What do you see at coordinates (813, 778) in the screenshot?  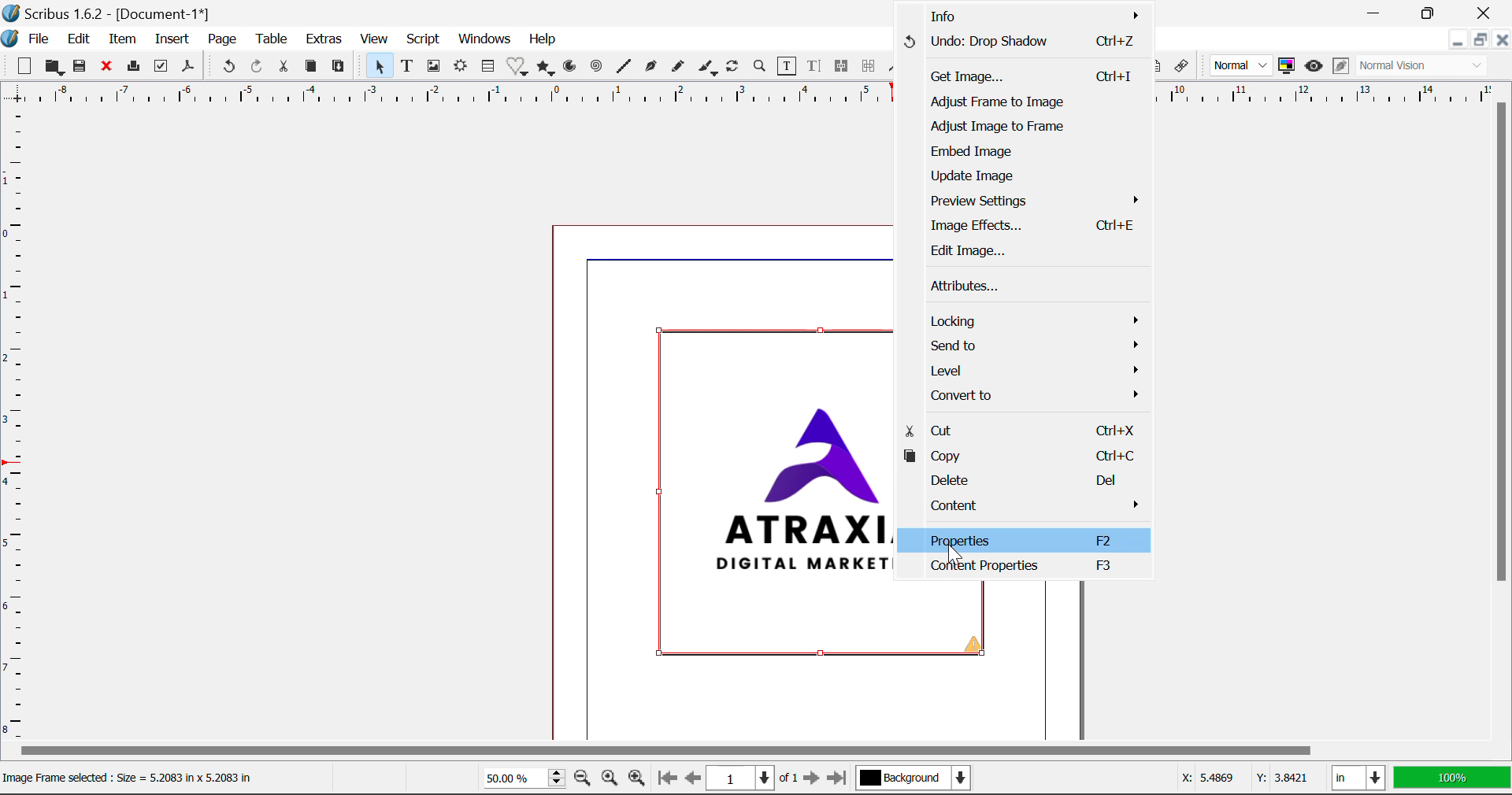 I see `Next page` at bounding box center [813, 778].